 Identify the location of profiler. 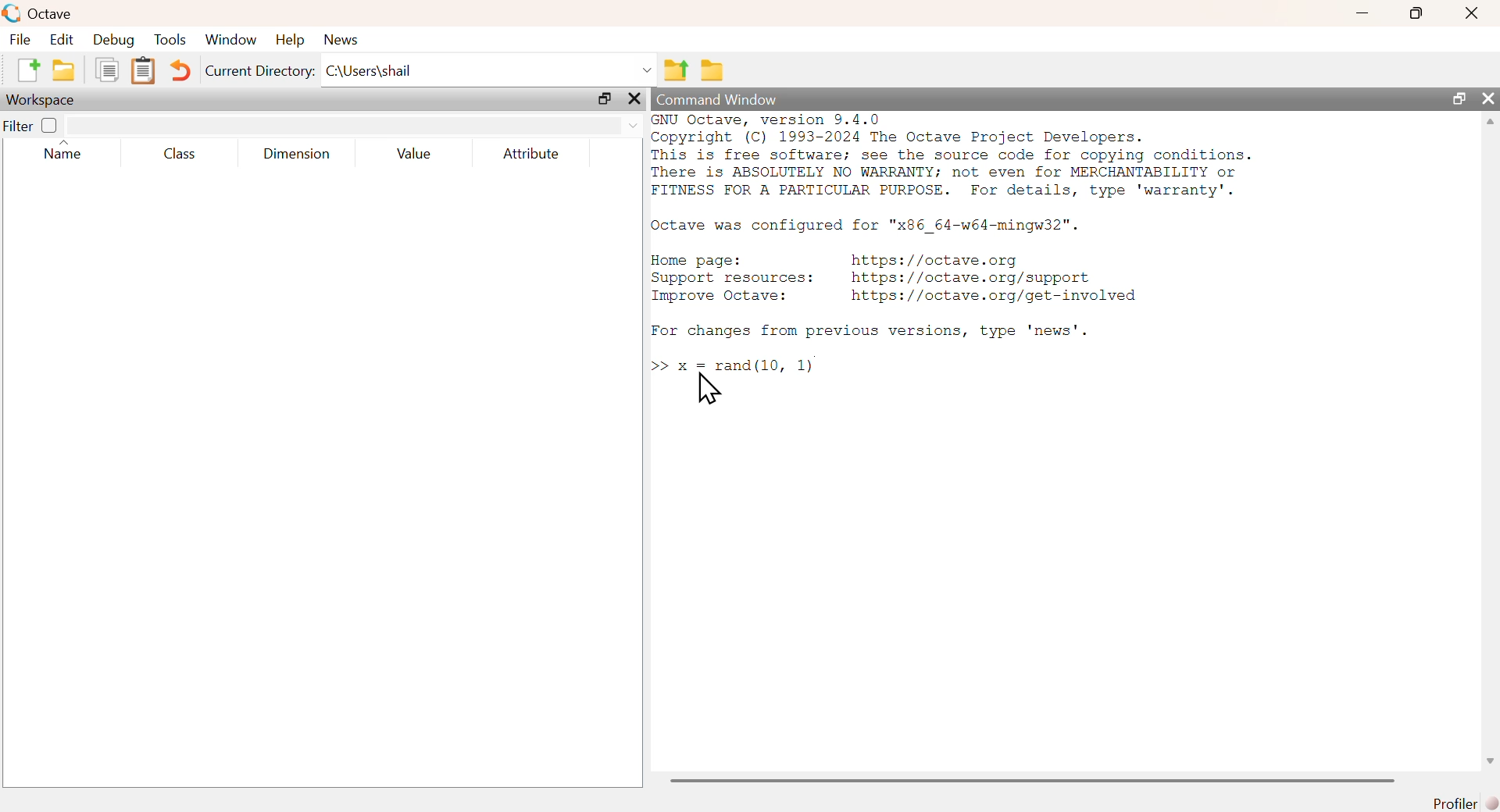
(1462, 803).